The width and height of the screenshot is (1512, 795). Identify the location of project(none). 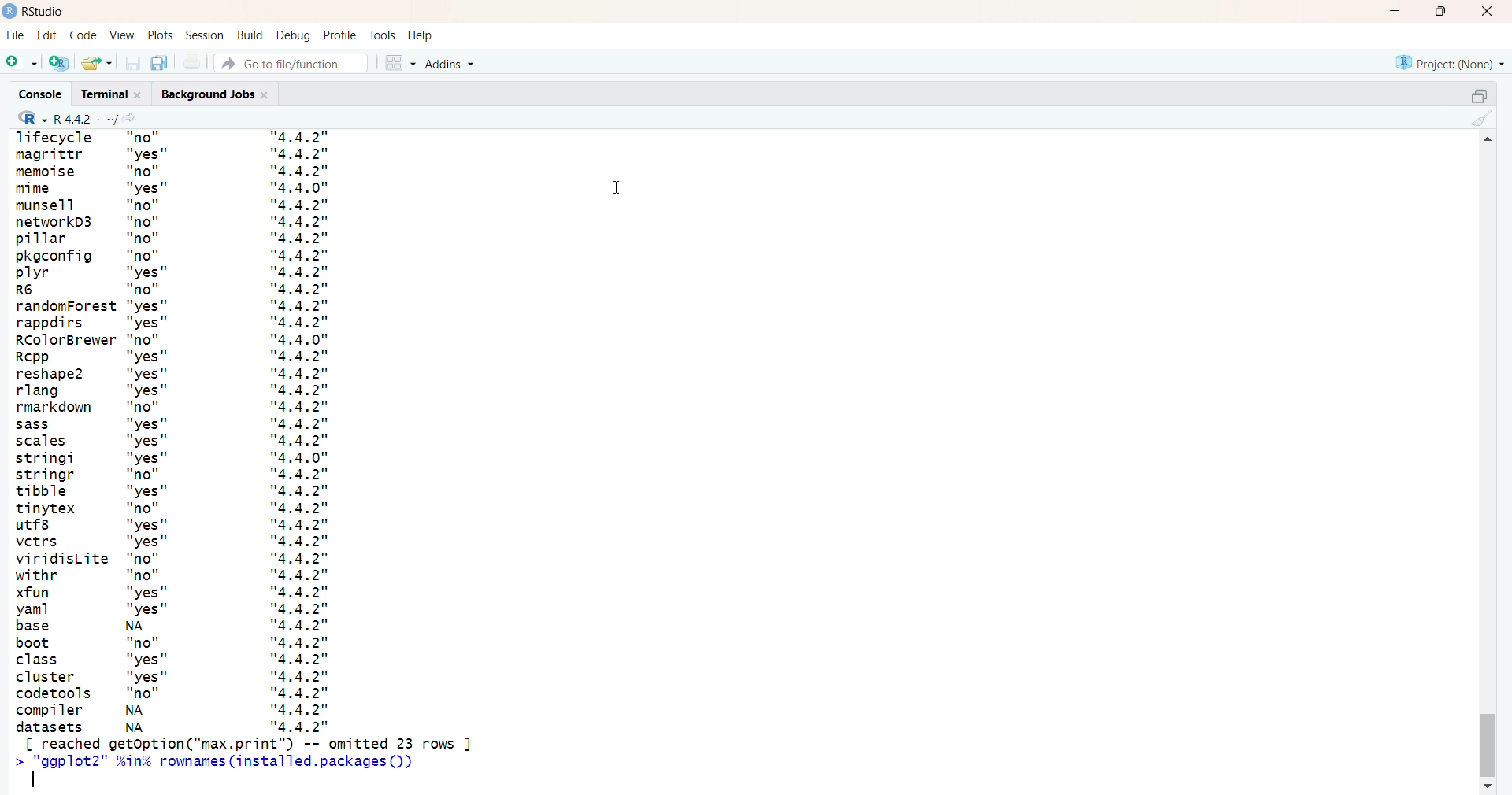
(1447, 61).